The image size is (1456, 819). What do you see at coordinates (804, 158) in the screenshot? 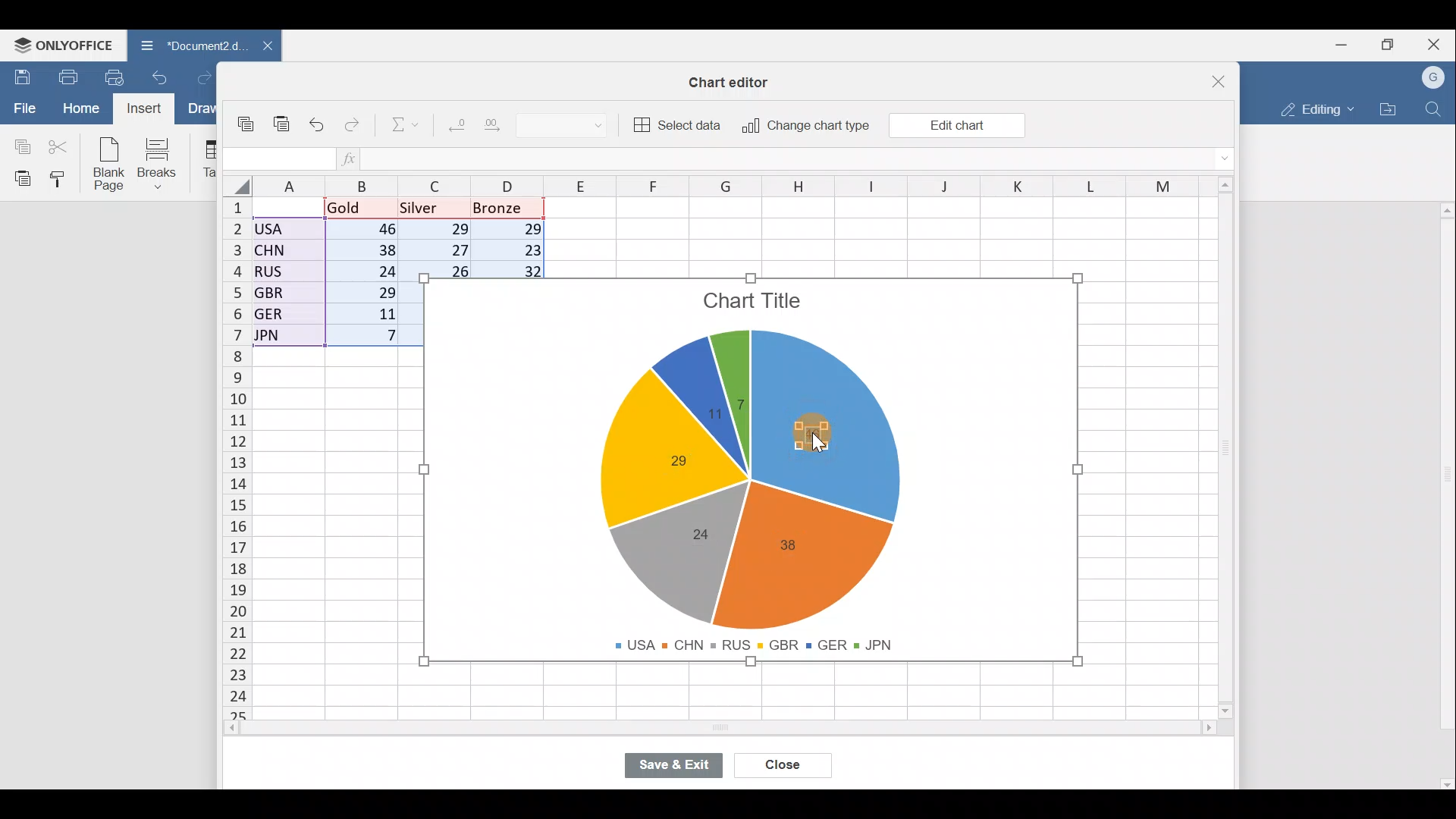
I see `Formula bar` at bounding box center [804, 158].